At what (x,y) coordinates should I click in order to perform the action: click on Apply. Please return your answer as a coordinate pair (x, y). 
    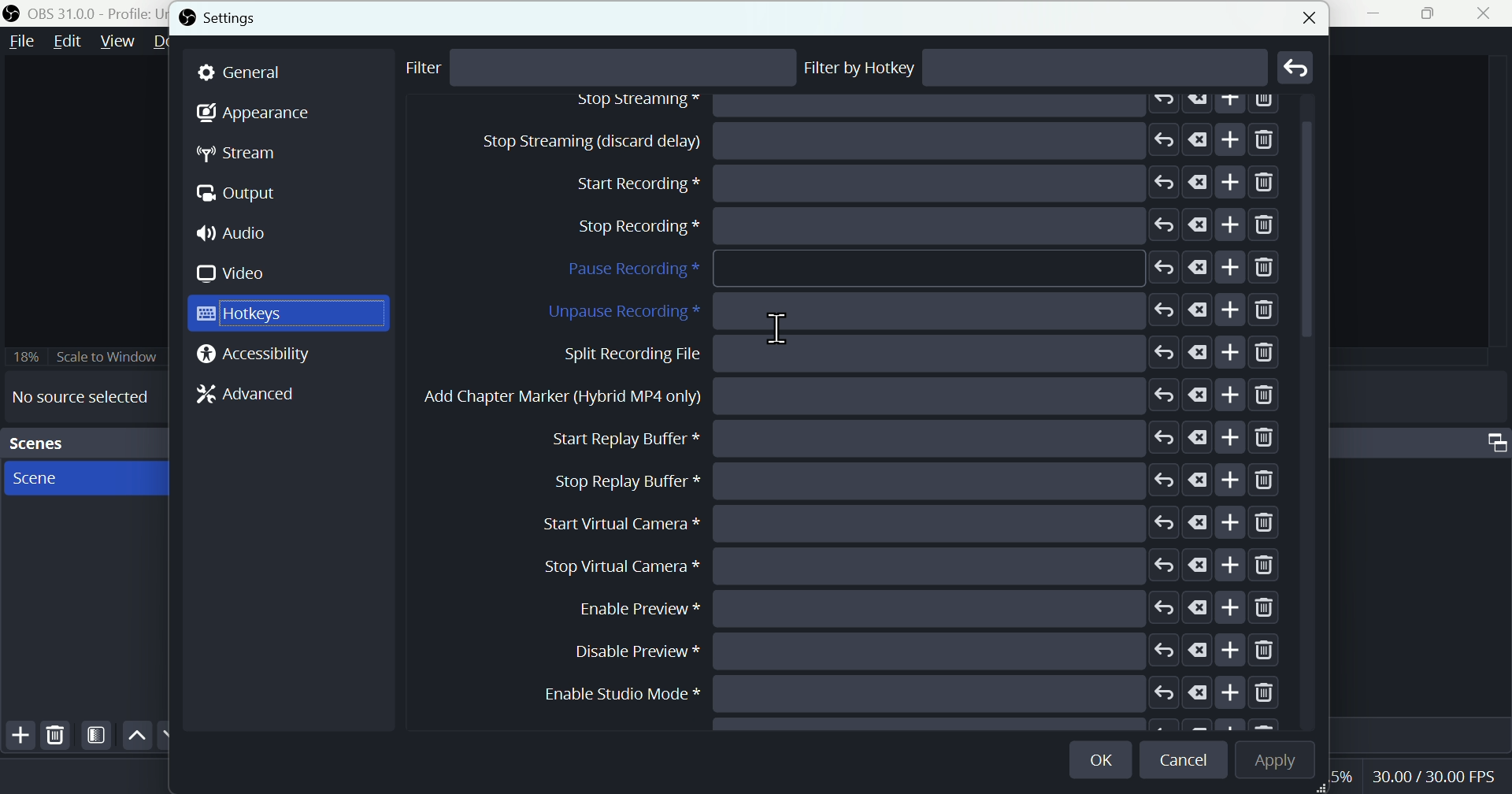
    Looking at the image, I should click on (1272, 761).